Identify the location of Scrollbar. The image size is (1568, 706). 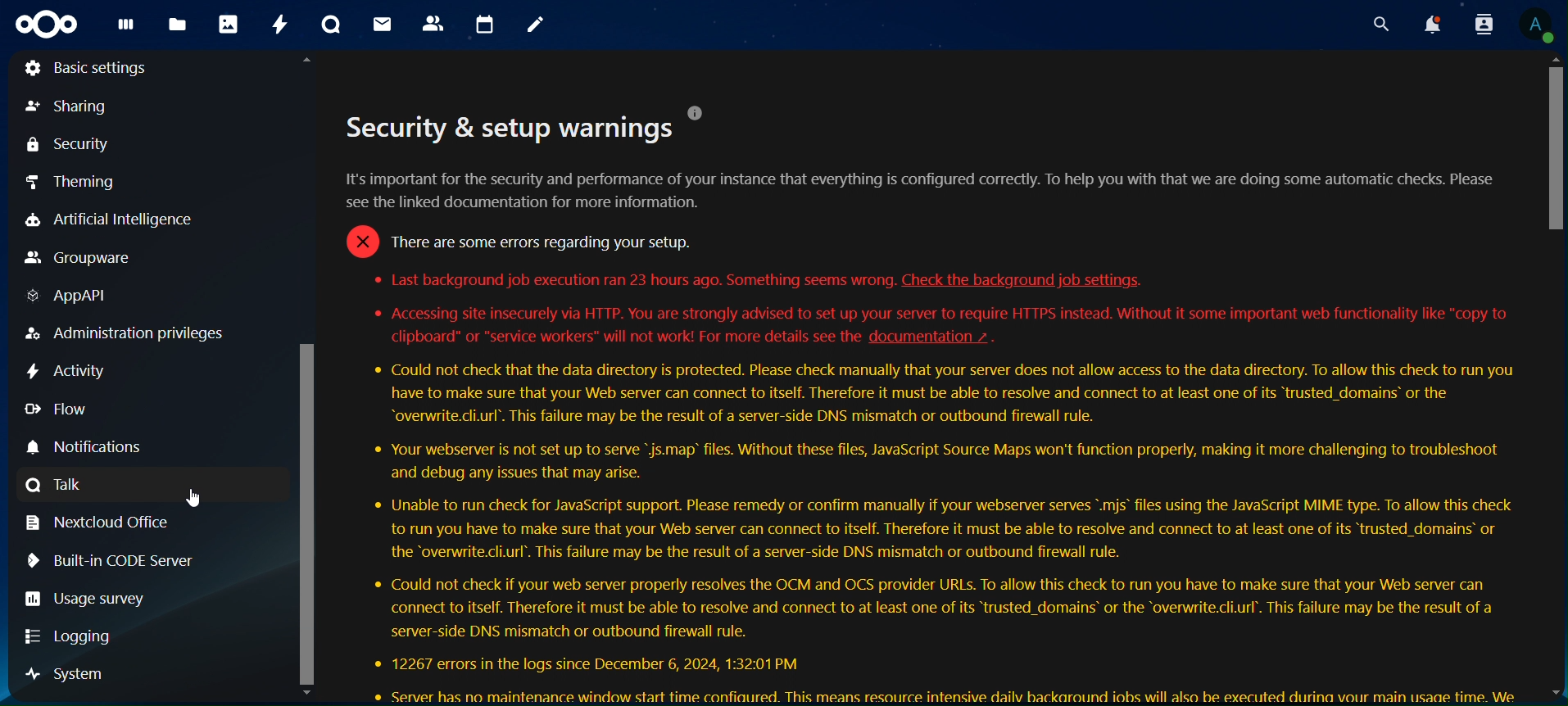
(1552, 376).